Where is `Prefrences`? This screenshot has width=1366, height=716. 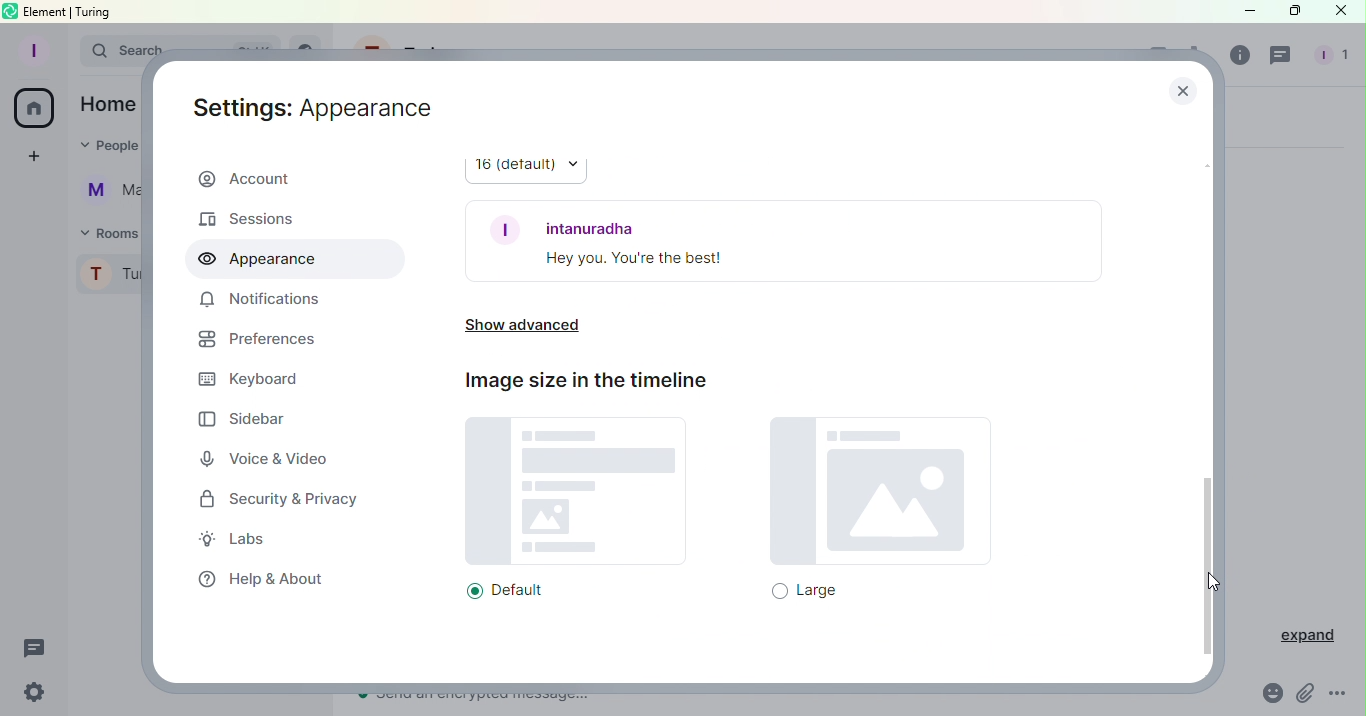 Prefrences is located at coordinates (254, 340).